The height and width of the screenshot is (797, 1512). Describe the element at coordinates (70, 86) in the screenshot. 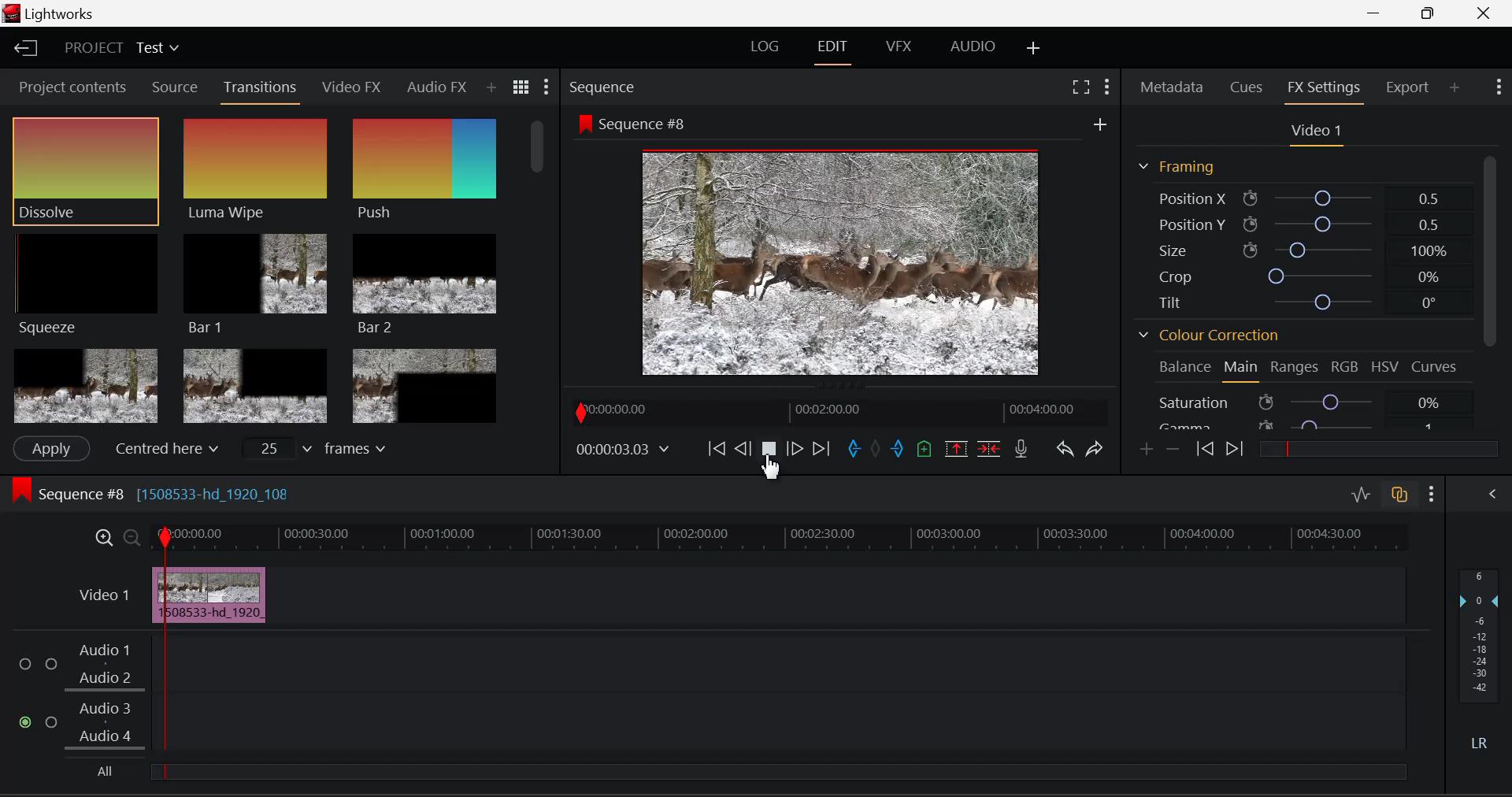

I see `Project contents` at that location.